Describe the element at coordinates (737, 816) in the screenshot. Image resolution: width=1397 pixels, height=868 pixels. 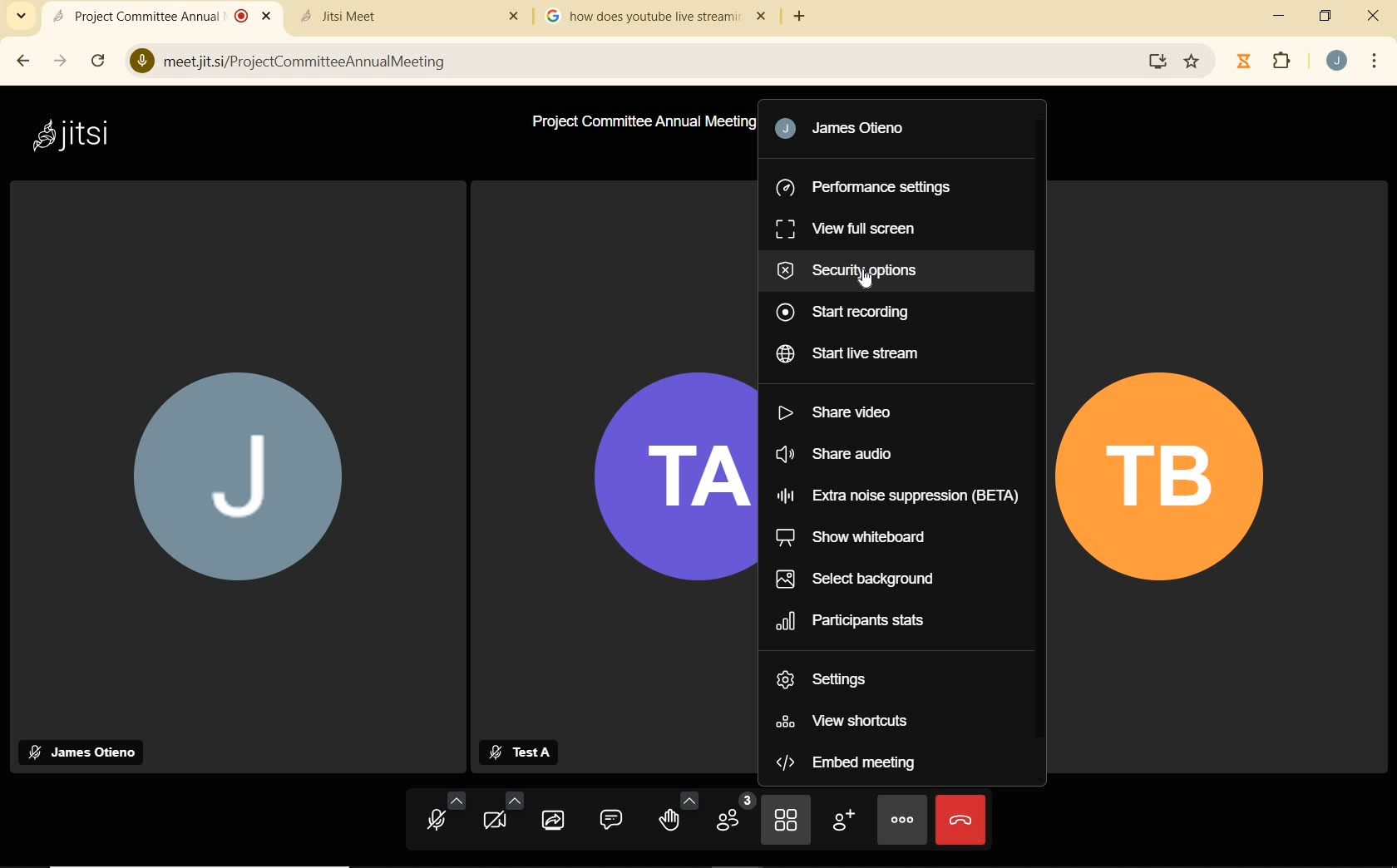
I see `PARTICIPANTS` at that location.